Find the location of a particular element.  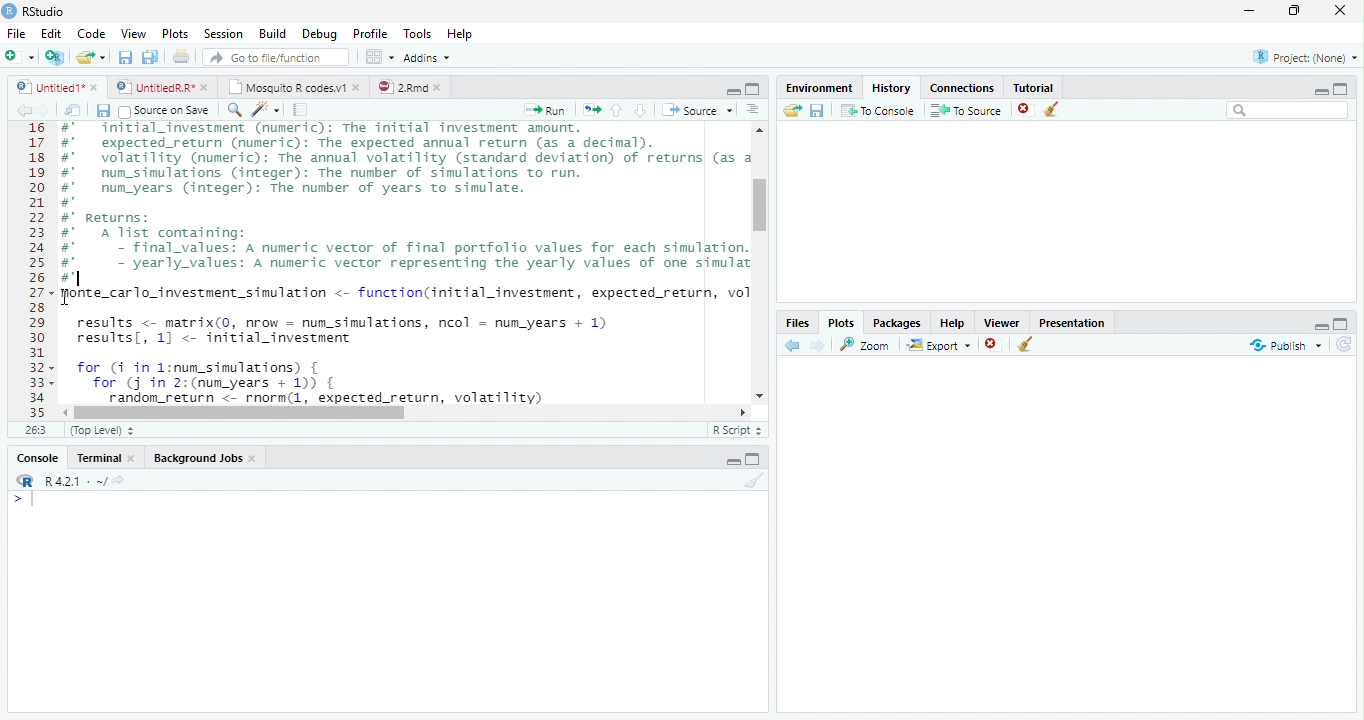

Open new file is located at coordinates (19, 56).